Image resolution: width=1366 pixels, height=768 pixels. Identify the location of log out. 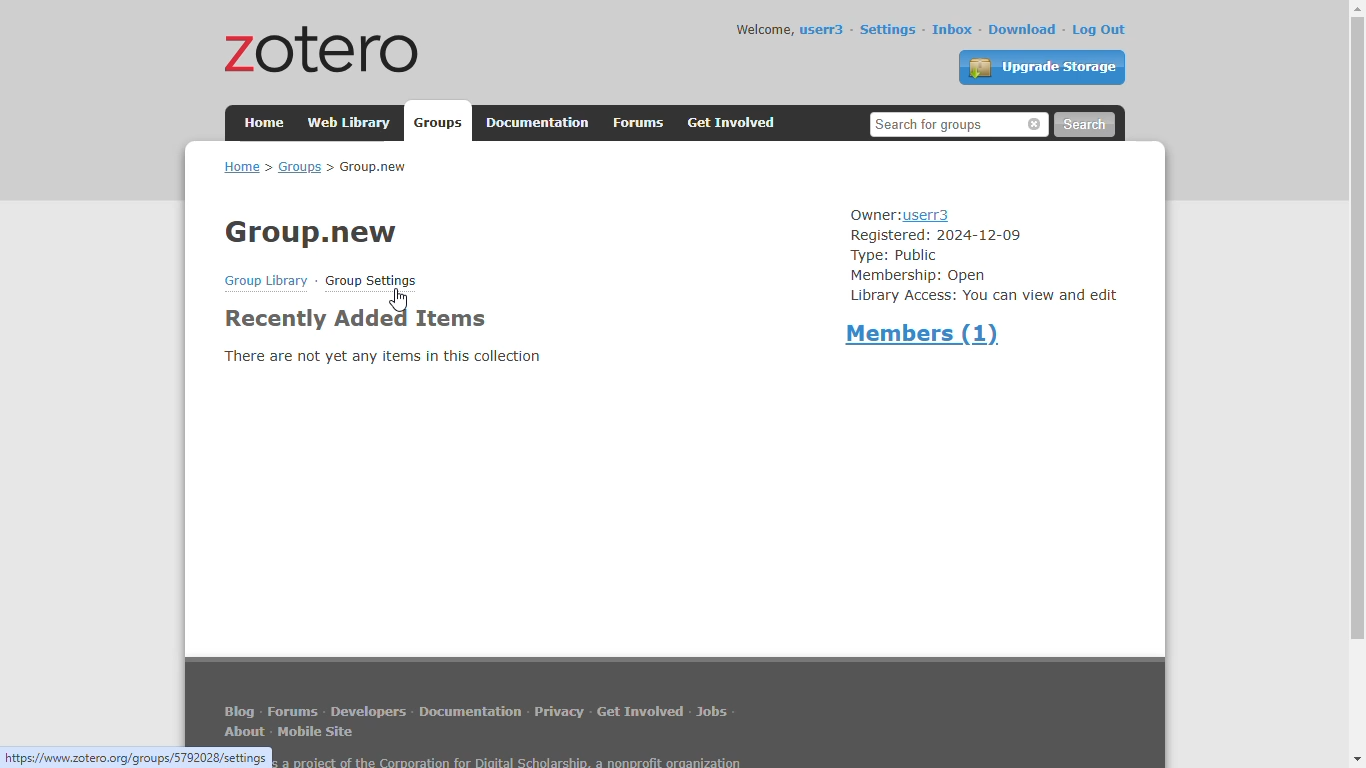
(1100, 30).